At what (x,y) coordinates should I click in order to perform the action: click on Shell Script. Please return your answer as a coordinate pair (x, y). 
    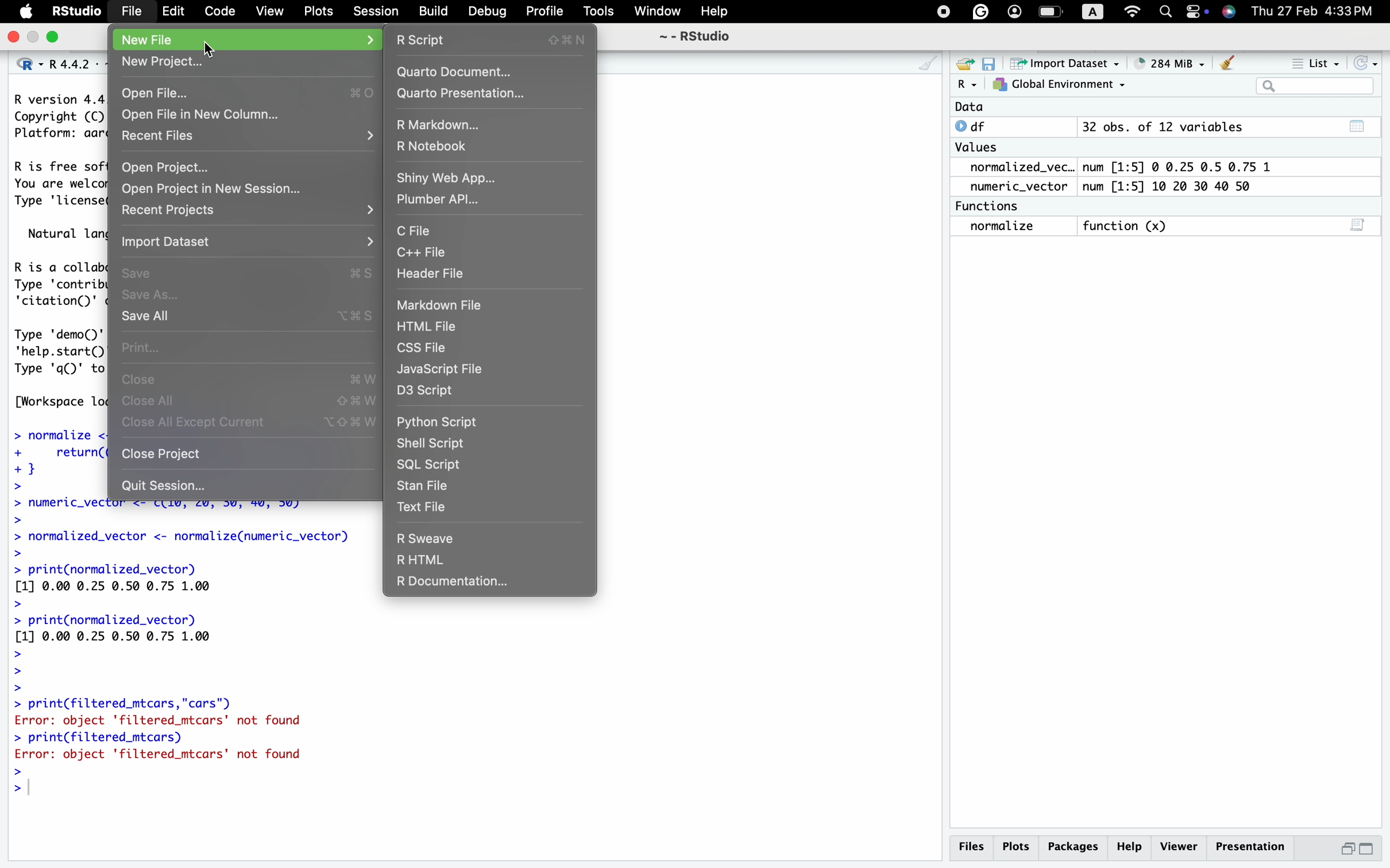
    Looking at the image, I should click on (435, 442).